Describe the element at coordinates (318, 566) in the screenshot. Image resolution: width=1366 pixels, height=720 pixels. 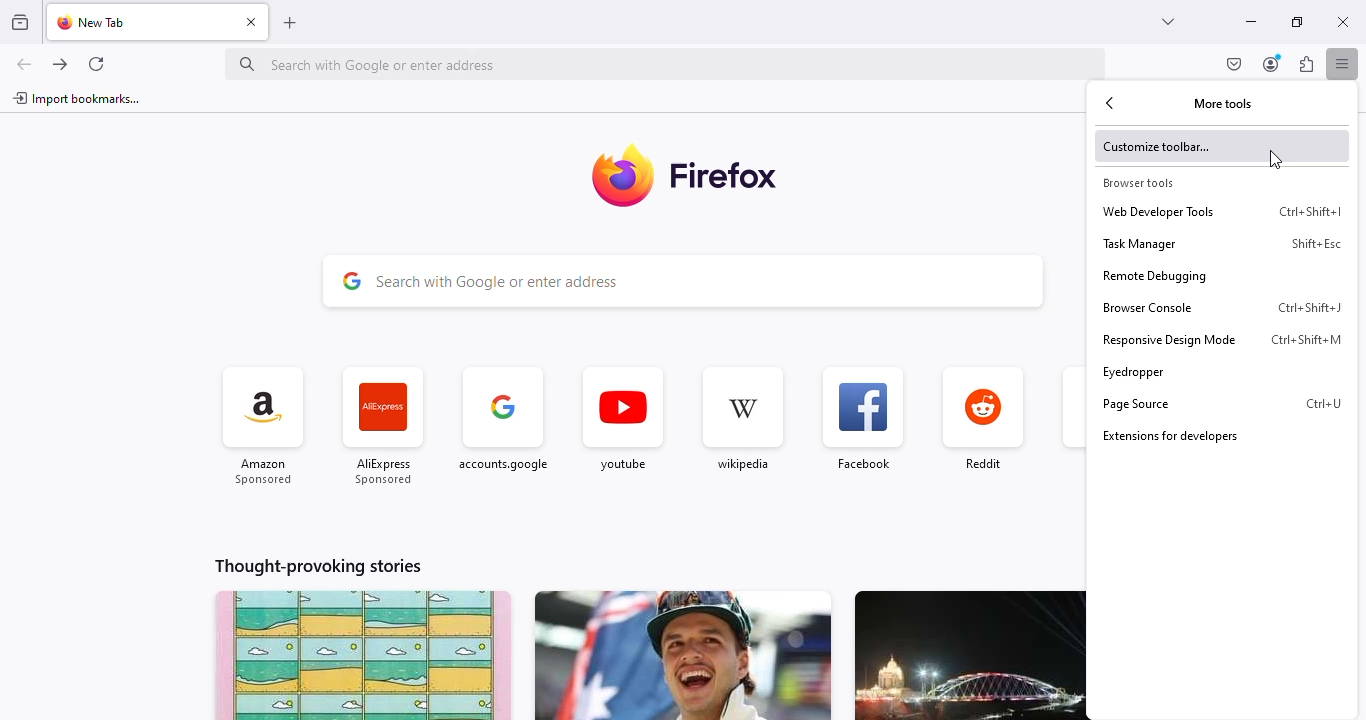
I see `thought-provoking stories` at that location.